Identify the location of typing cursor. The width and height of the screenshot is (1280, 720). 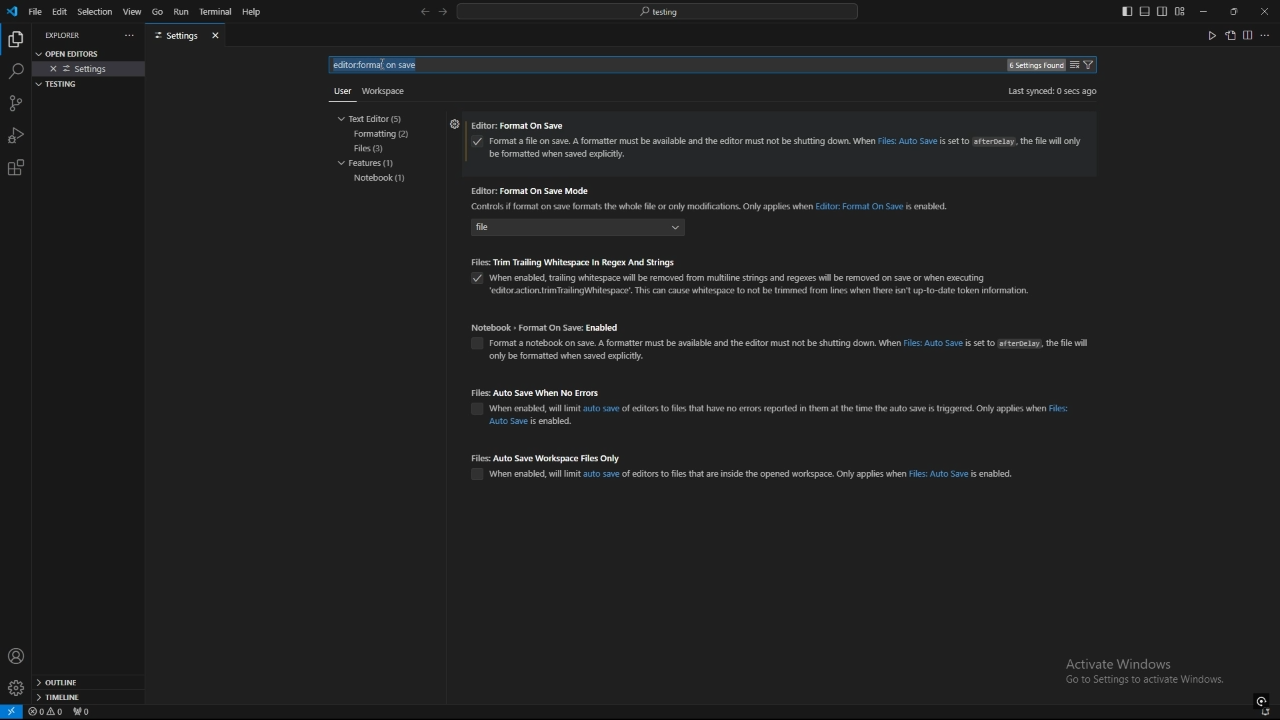
(381, 65).